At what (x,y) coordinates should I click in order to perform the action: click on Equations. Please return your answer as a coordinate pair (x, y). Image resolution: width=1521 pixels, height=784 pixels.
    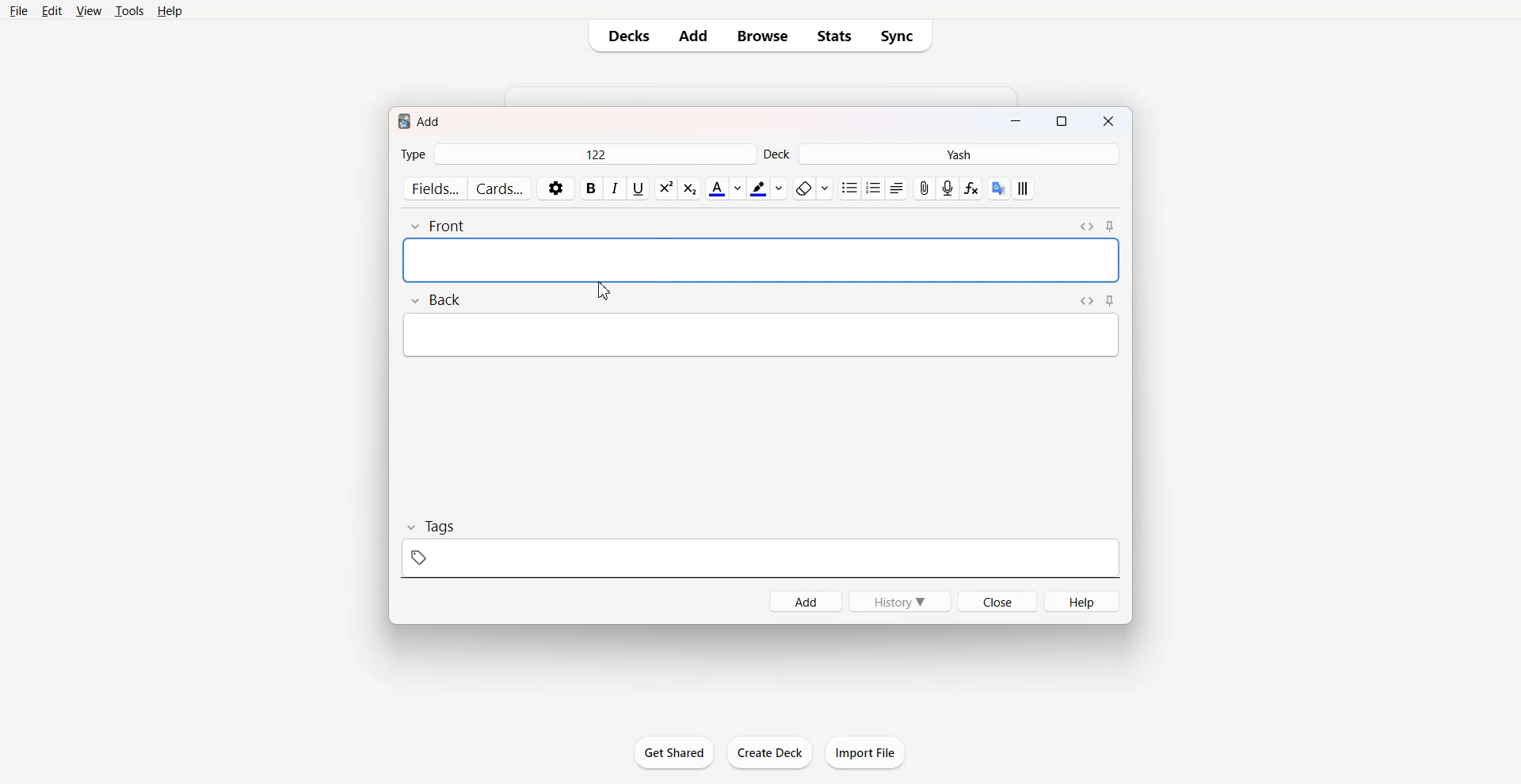
    Looking at the image, I should click on (971, 188).